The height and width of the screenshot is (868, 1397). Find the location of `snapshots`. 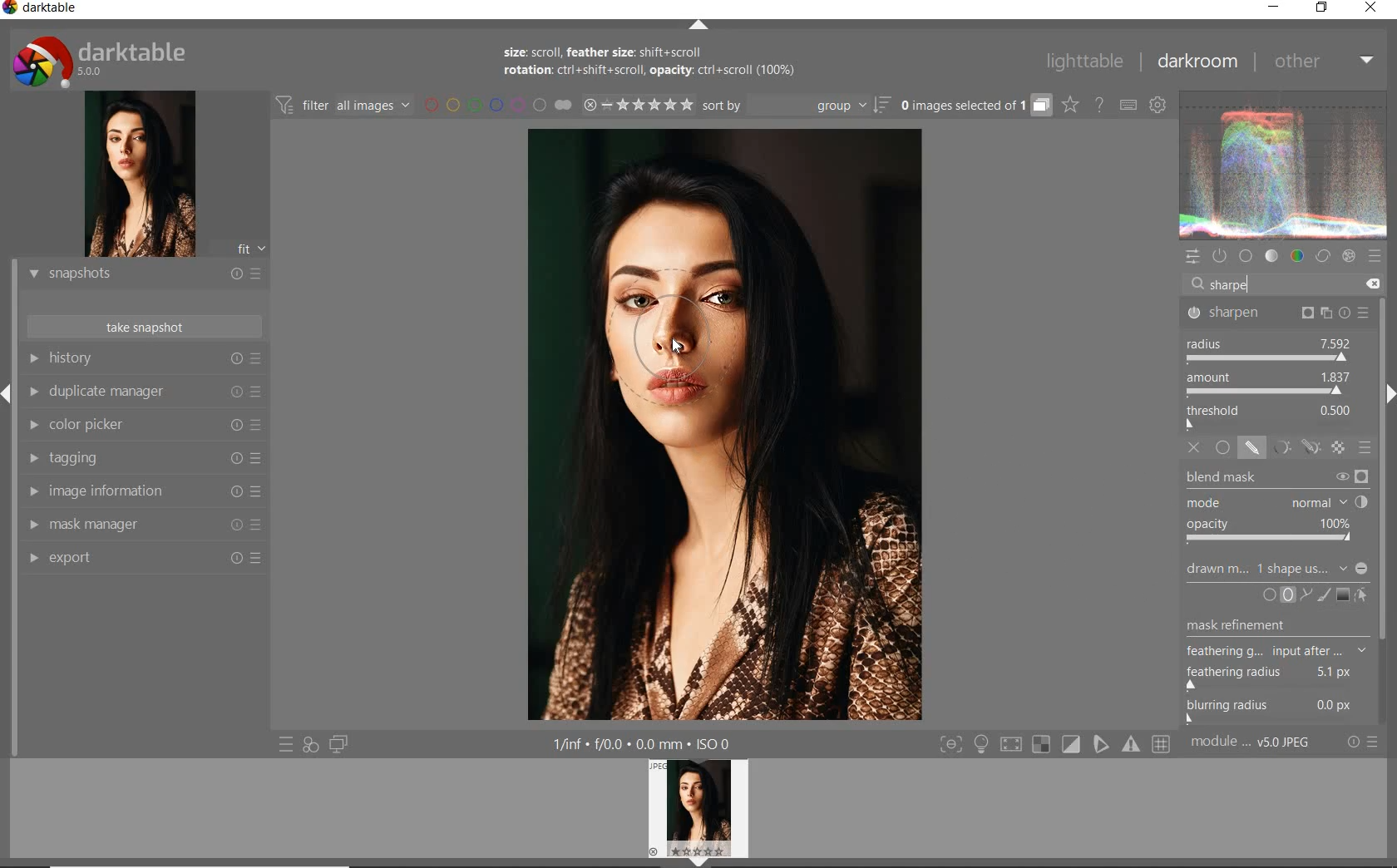

snapshots is located at coordinates (141, 275).